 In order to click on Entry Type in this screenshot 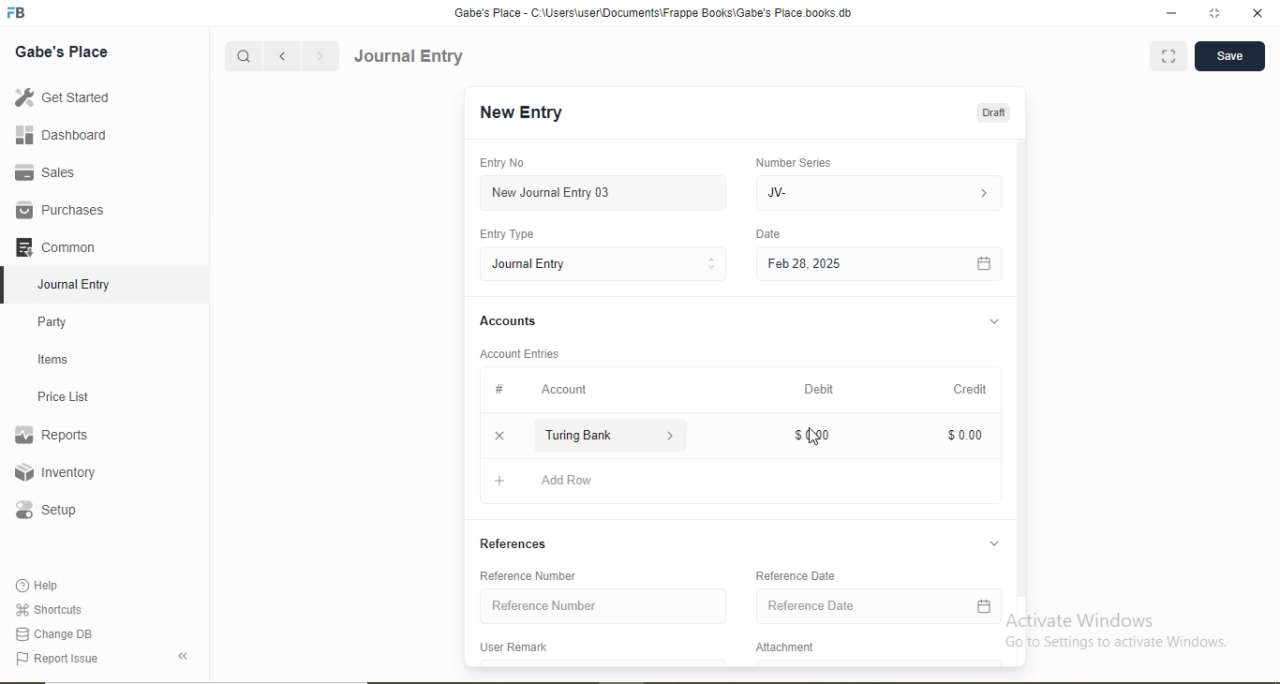, I will do `click(505, 234)`.